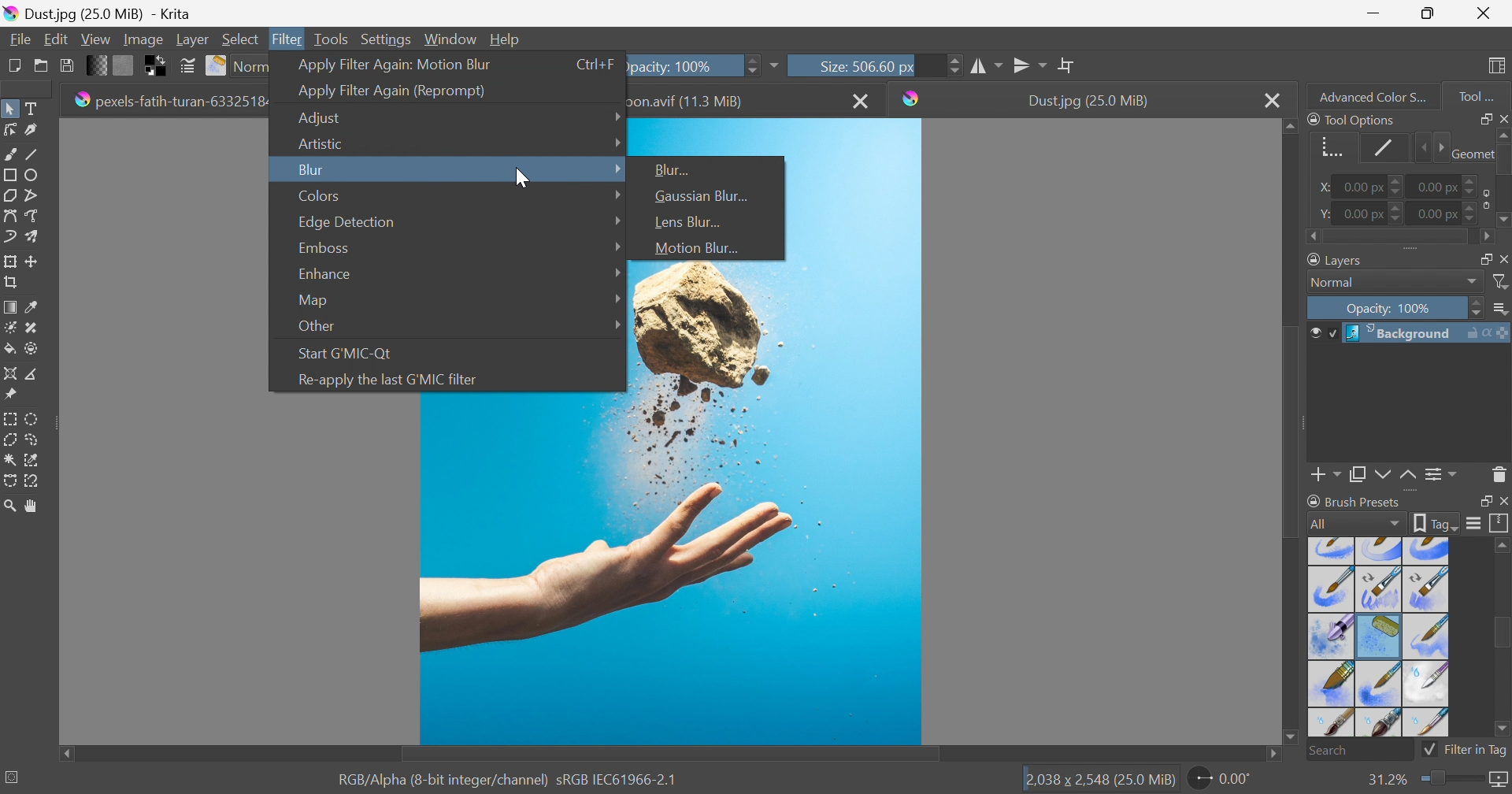  What do you see at coordinates (289, 39) in the screenshot?
I see `Filter` at bounding box center [289, 39].